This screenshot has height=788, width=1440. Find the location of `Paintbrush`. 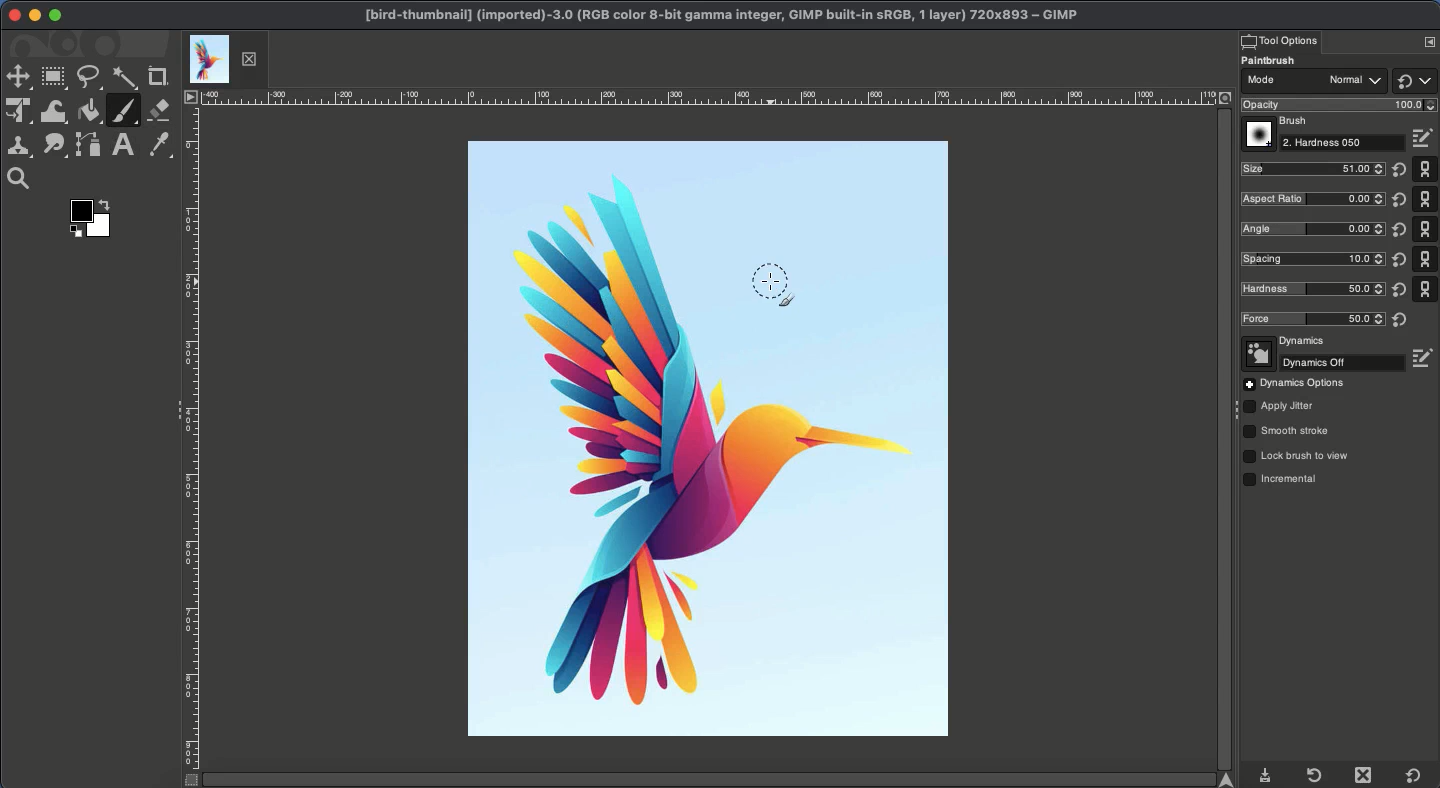

Paintbrush is located at coordinates (123, 111).